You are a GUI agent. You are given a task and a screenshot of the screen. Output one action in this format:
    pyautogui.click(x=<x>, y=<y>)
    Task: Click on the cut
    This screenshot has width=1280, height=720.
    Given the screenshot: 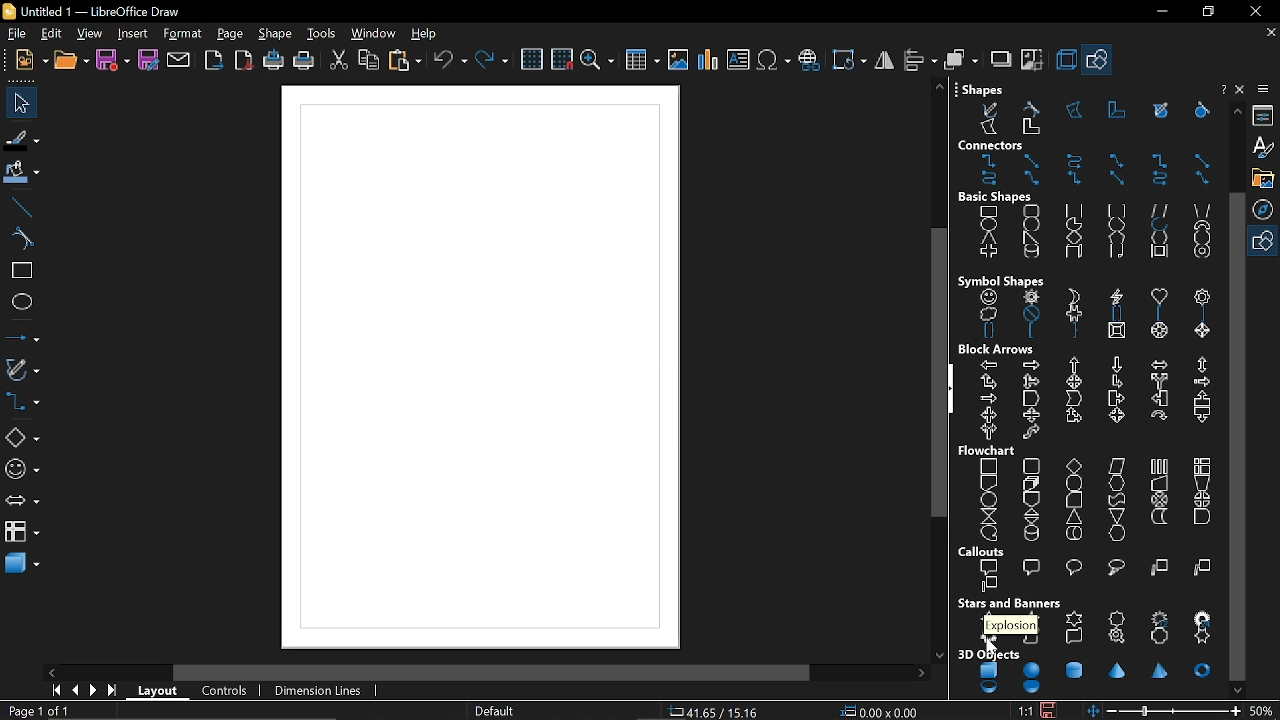 What is the action you would take?
    pyautogui.click(x=340, y=60)
    